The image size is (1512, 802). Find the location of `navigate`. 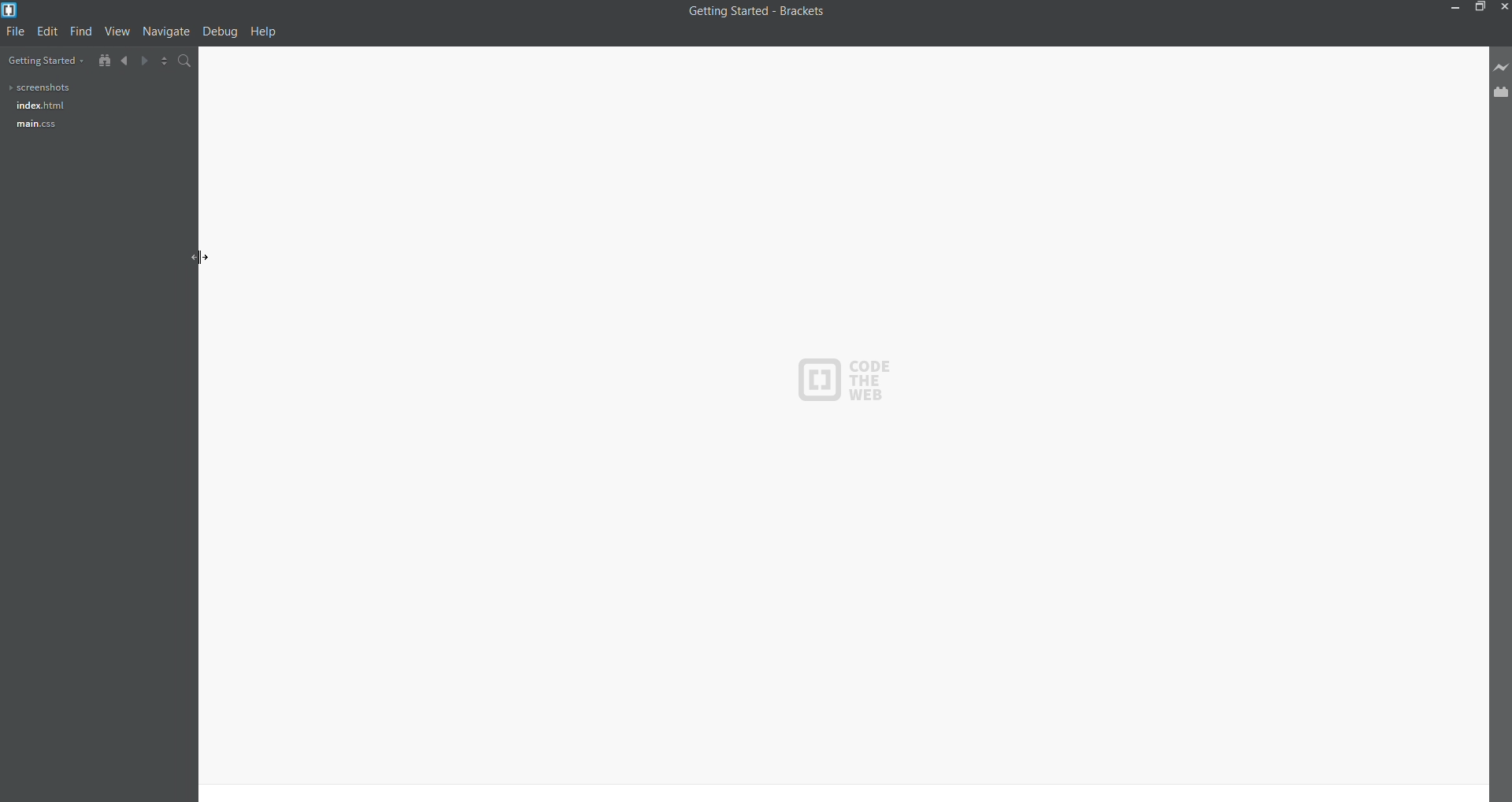

navigate is located at coordinates (164, 33).